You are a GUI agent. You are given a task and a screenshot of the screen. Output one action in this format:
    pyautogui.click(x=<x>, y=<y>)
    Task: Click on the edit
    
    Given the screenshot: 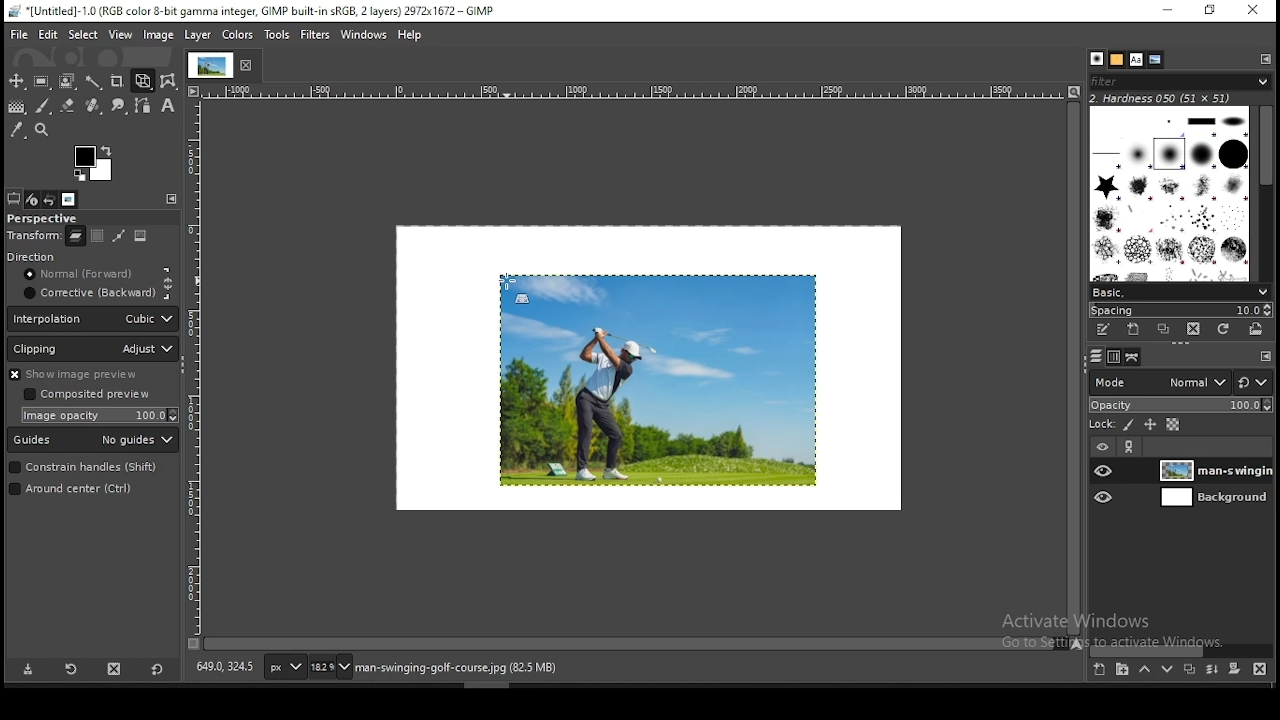 What is the action you would take?
    pyautogui.click(x=48, y=34)
    